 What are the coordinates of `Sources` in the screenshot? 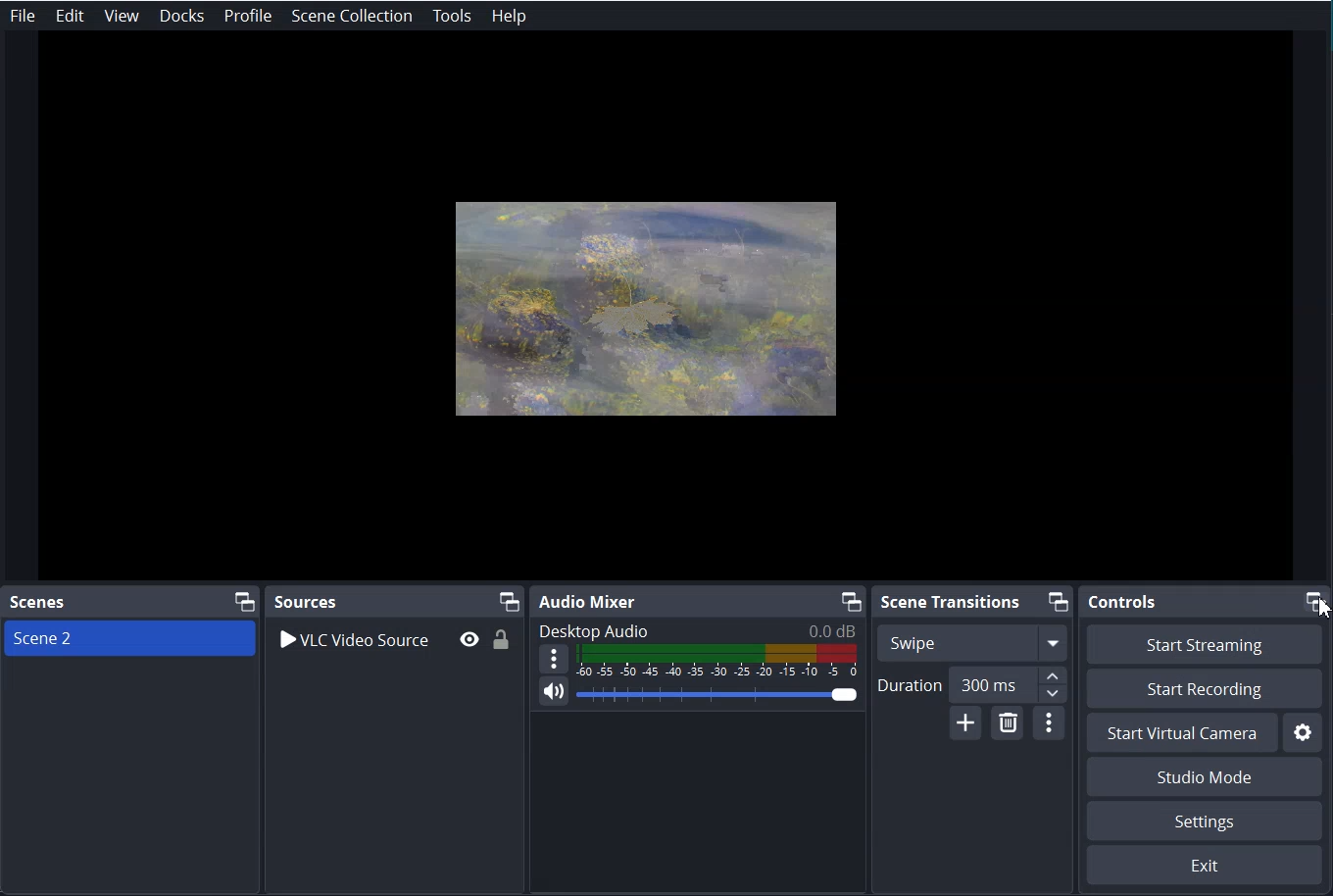 It's located at (309, 601).